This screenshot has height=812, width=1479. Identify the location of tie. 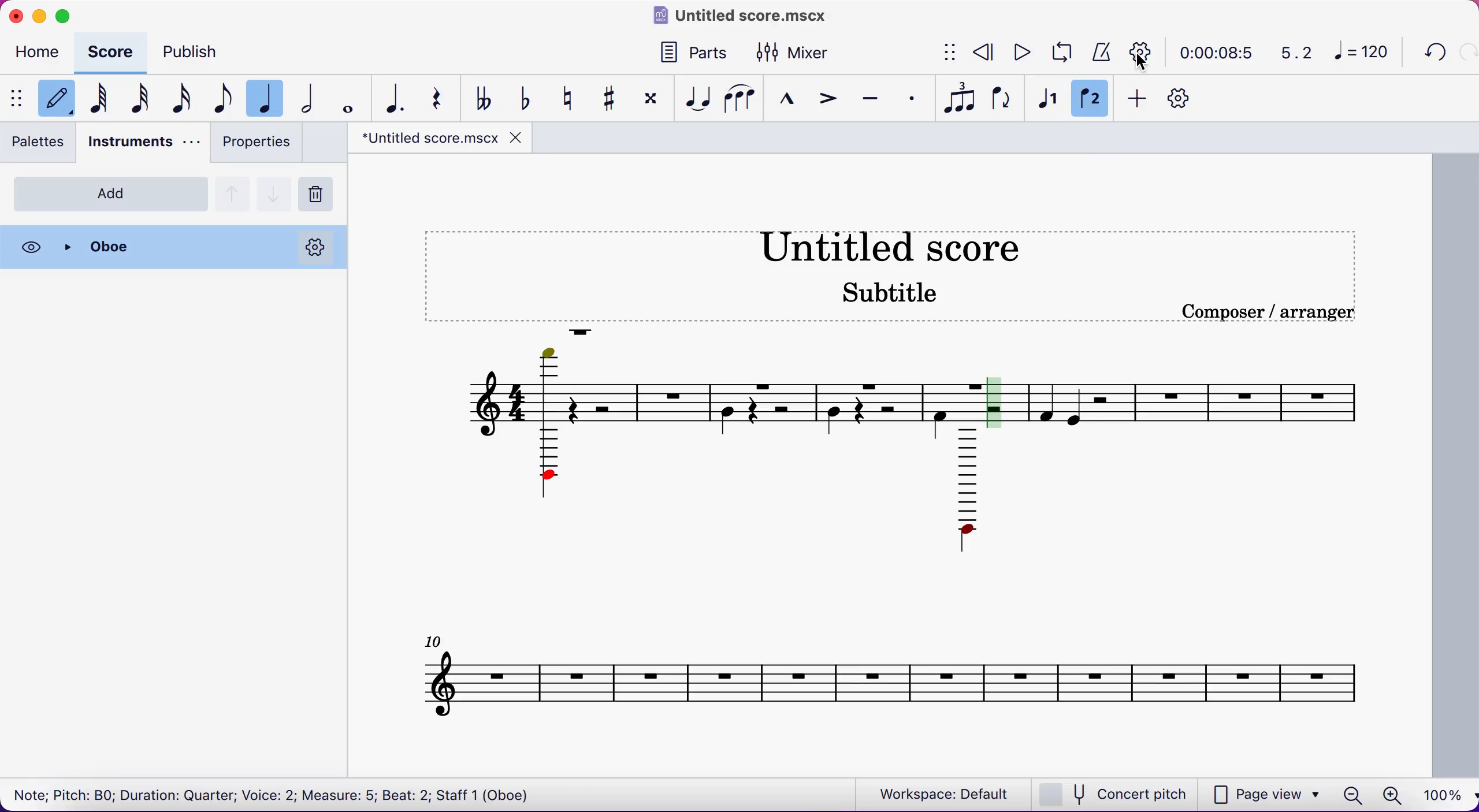
(697, 99).